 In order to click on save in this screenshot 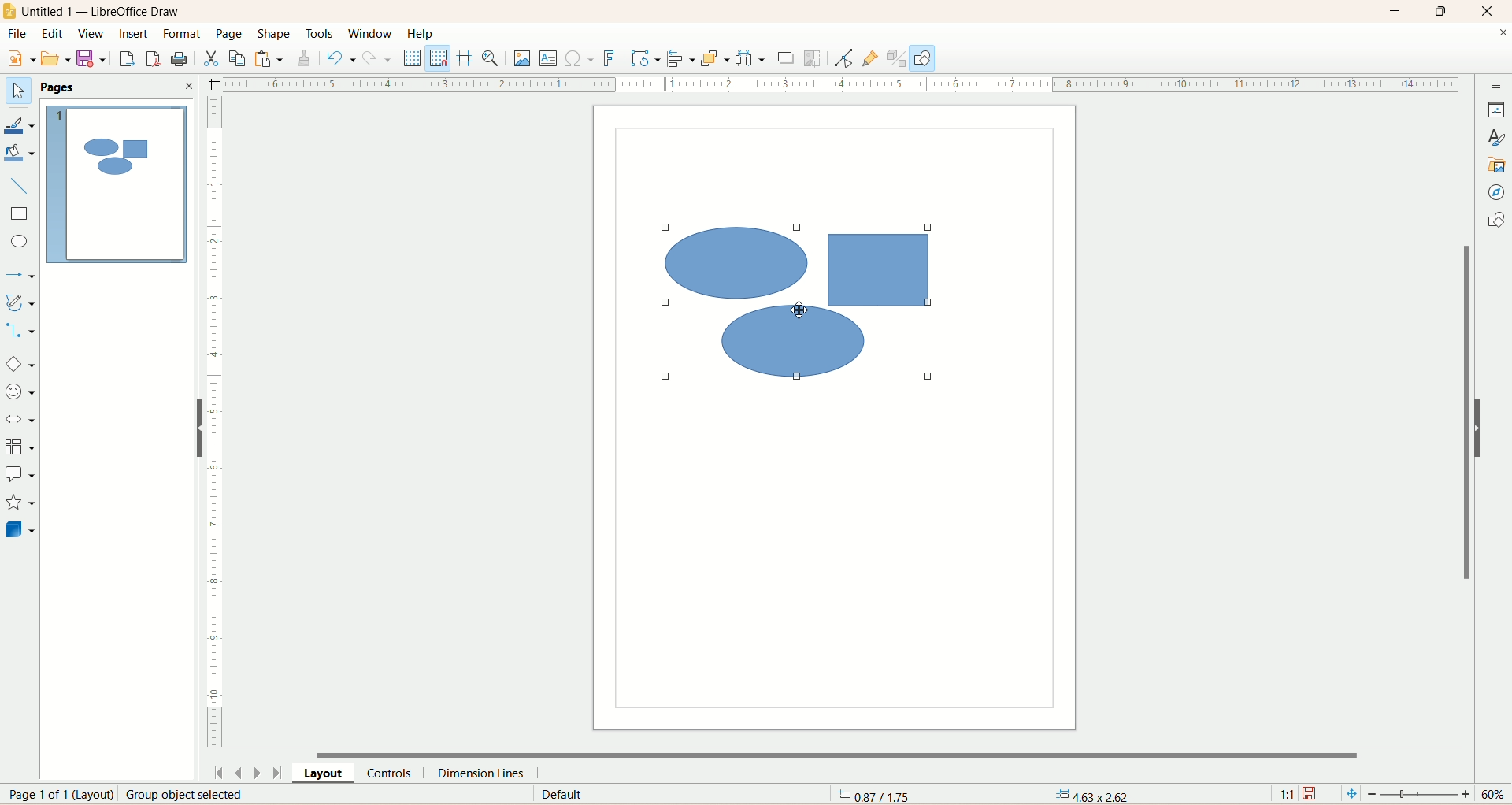, I will do `click(93, 59)`.